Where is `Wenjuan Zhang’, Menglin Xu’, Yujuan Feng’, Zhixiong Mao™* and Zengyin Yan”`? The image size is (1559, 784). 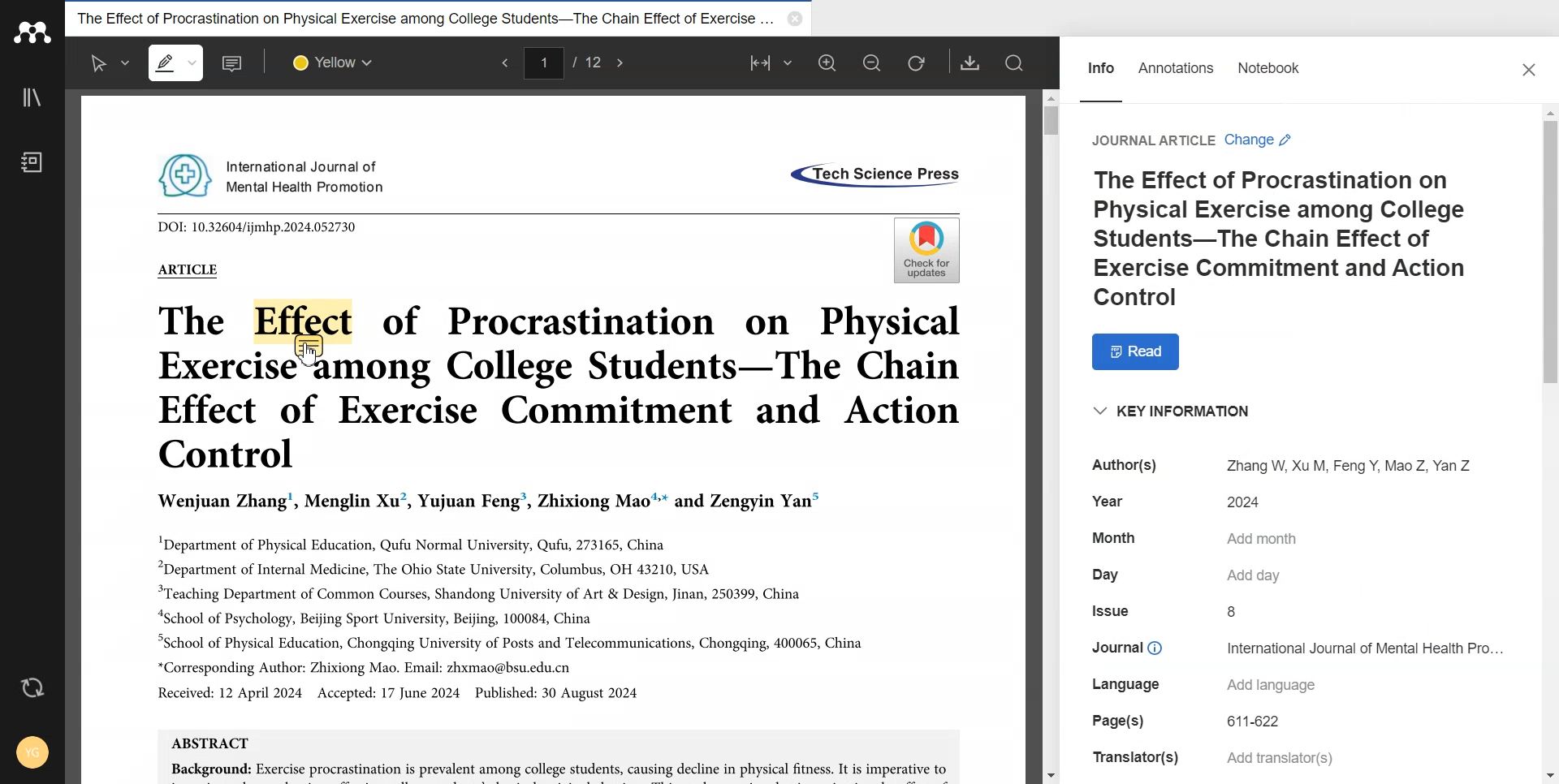
Wenjuan Zhang’, Menglin Xu’, Yujuan Feng’, Zhixiong Mao™* and Zengyin Yan” is located at coordinates (489, 502).